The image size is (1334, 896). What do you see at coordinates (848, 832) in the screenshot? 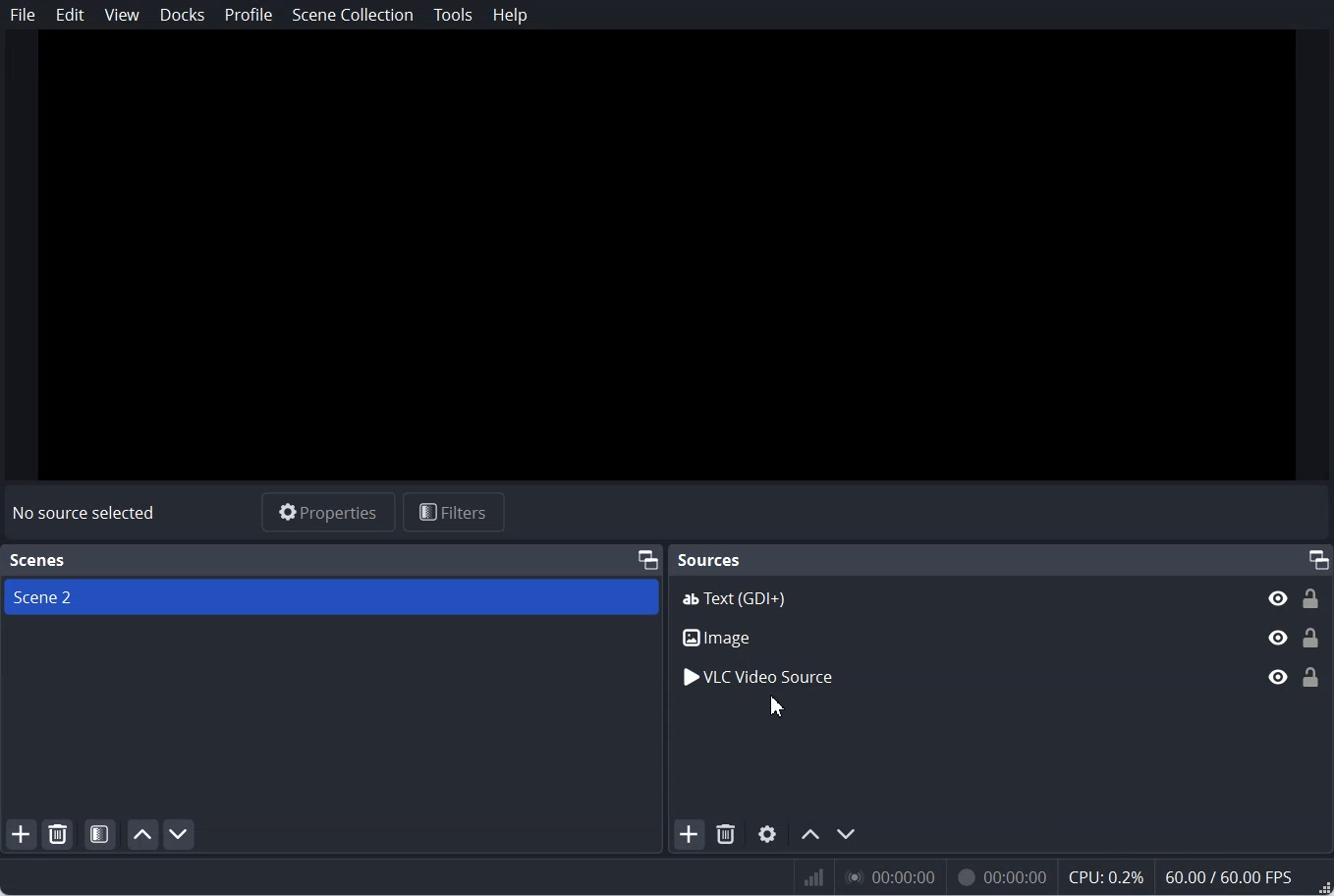
I see `Move source down` at bounding box center [848, 832].